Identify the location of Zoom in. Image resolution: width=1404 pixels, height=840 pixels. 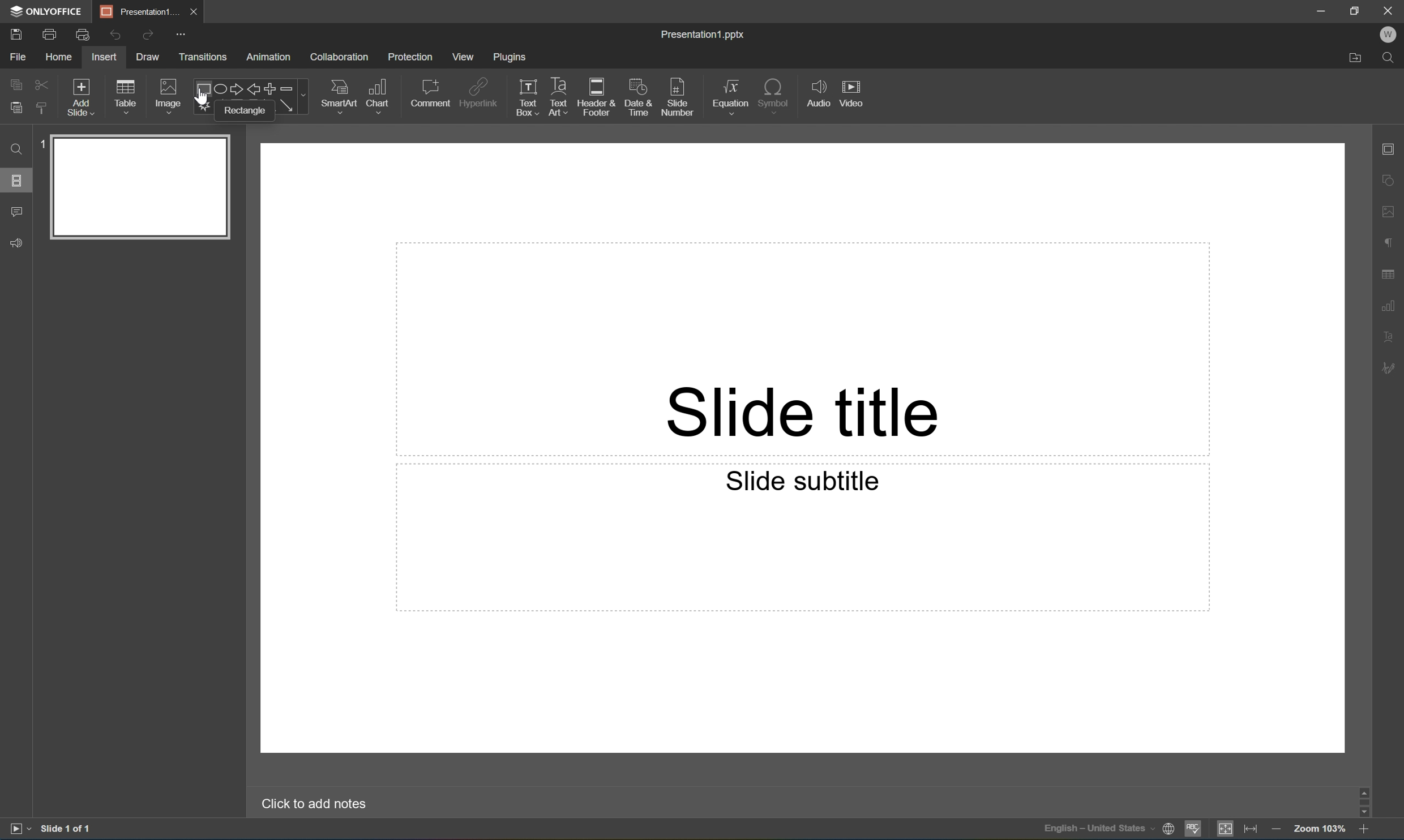
(1367, 829).